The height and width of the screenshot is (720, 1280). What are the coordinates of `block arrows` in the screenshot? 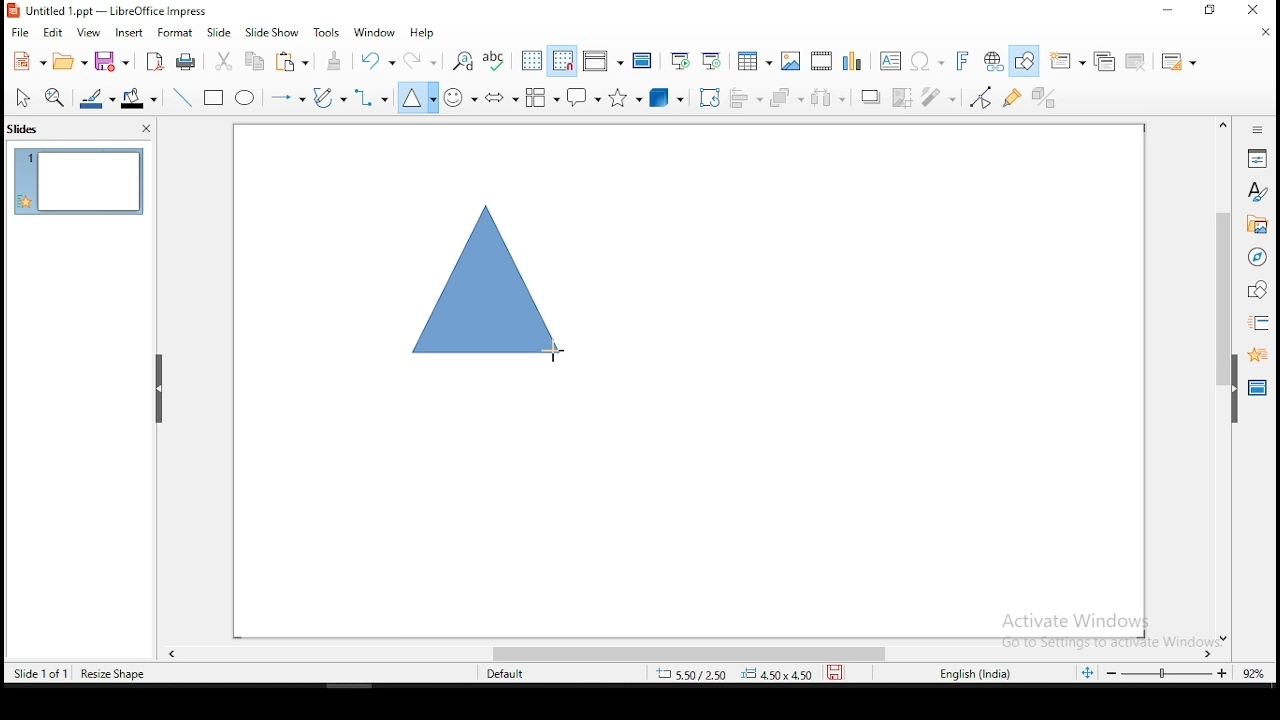 It's located at (501, 96).